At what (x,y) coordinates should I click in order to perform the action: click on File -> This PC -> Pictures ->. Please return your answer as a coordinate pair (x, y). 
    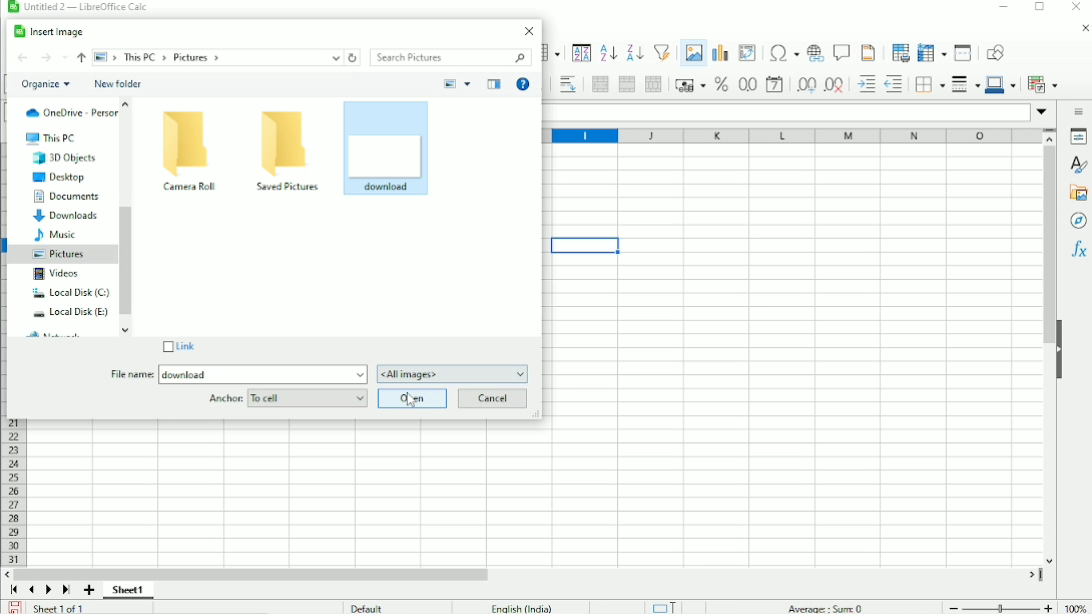
    Looking at the image, I should click on (216, 58).